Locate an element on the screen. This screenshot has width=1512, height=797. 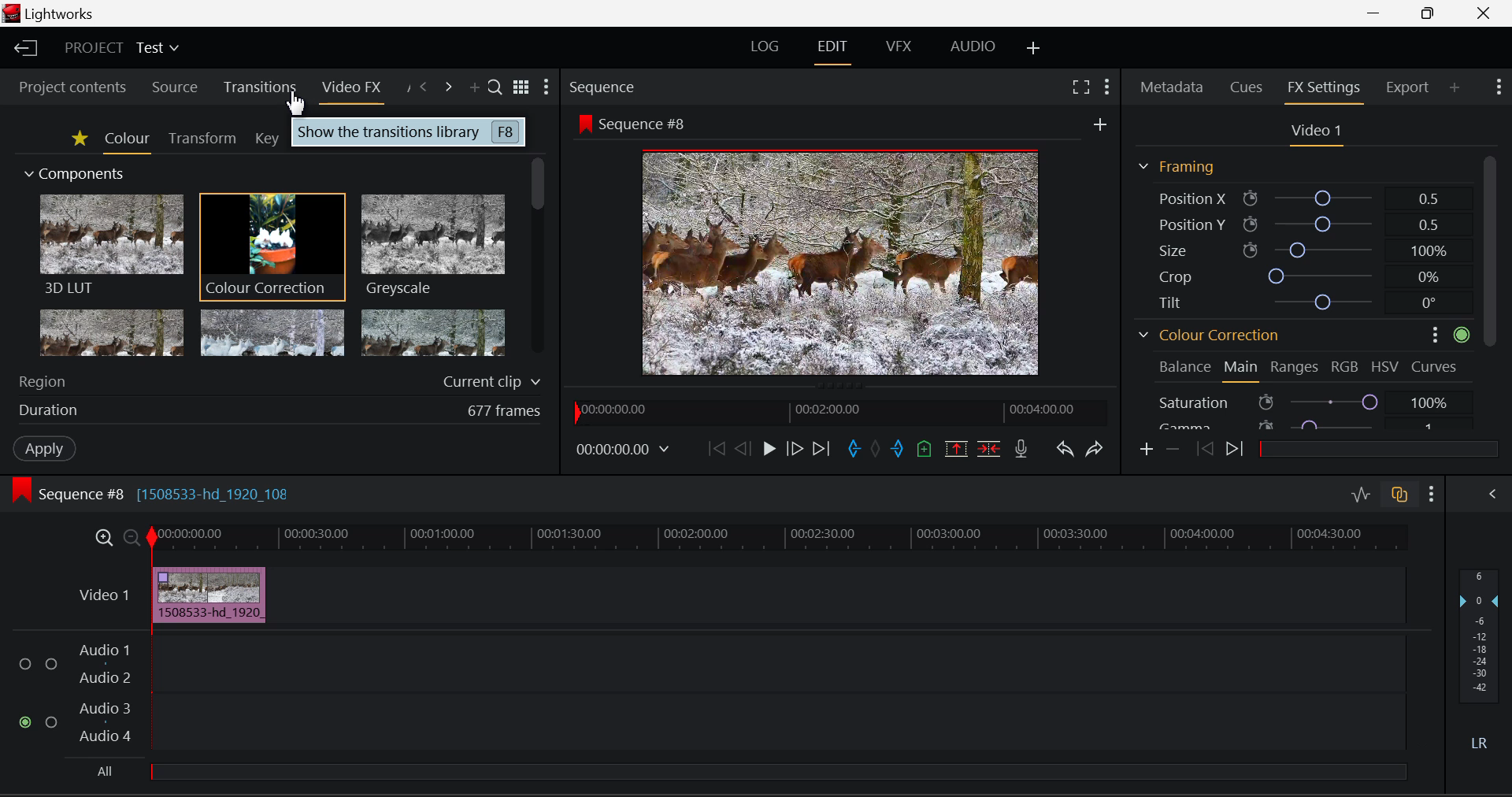
Audio Input Checkbox is located at coordinates (51, 721).